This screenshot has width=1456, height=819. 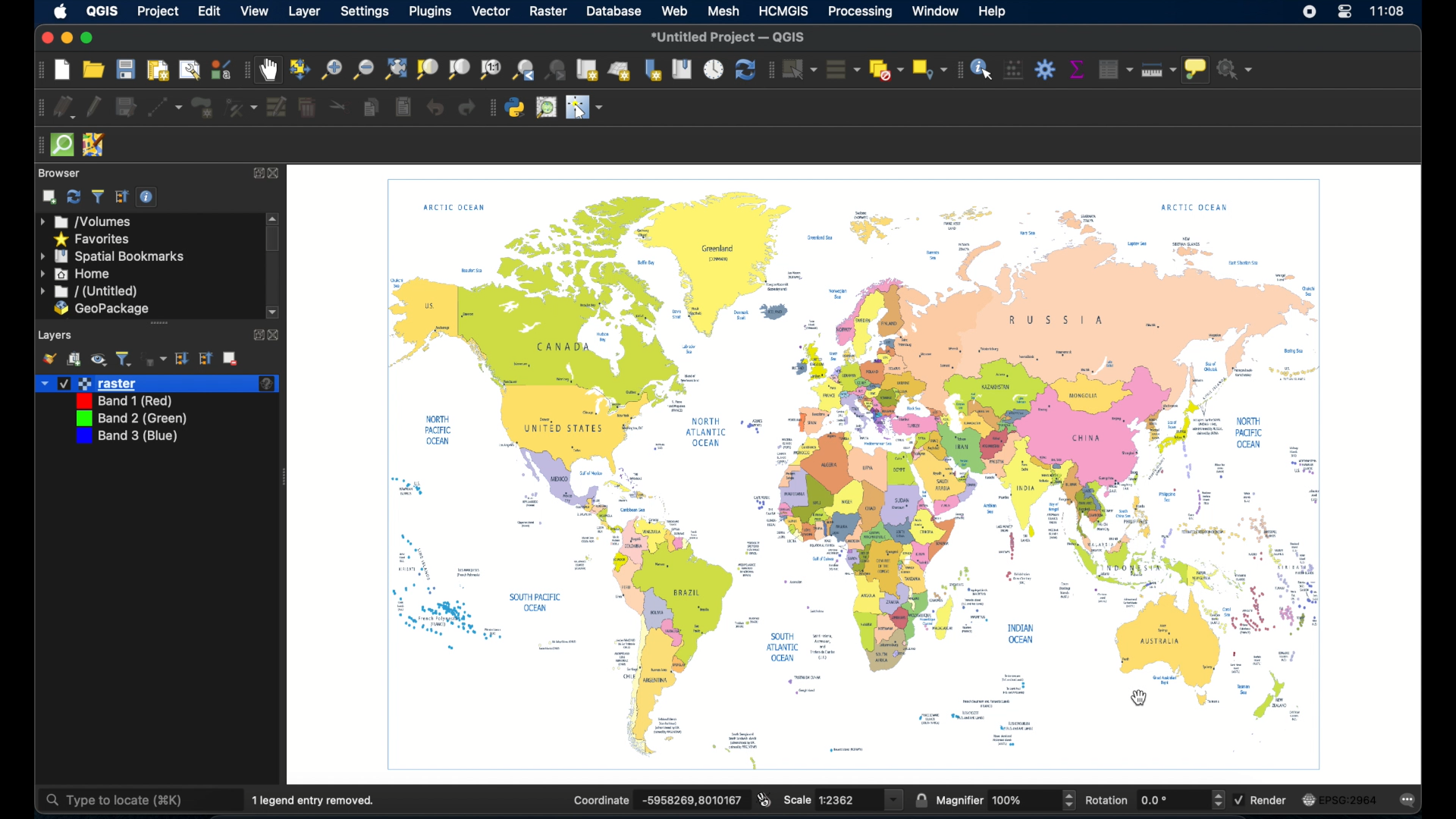 What do you see at coordinates (74, 197) in the screenshot?
I see `refresh` at bounding box center [74, 197].